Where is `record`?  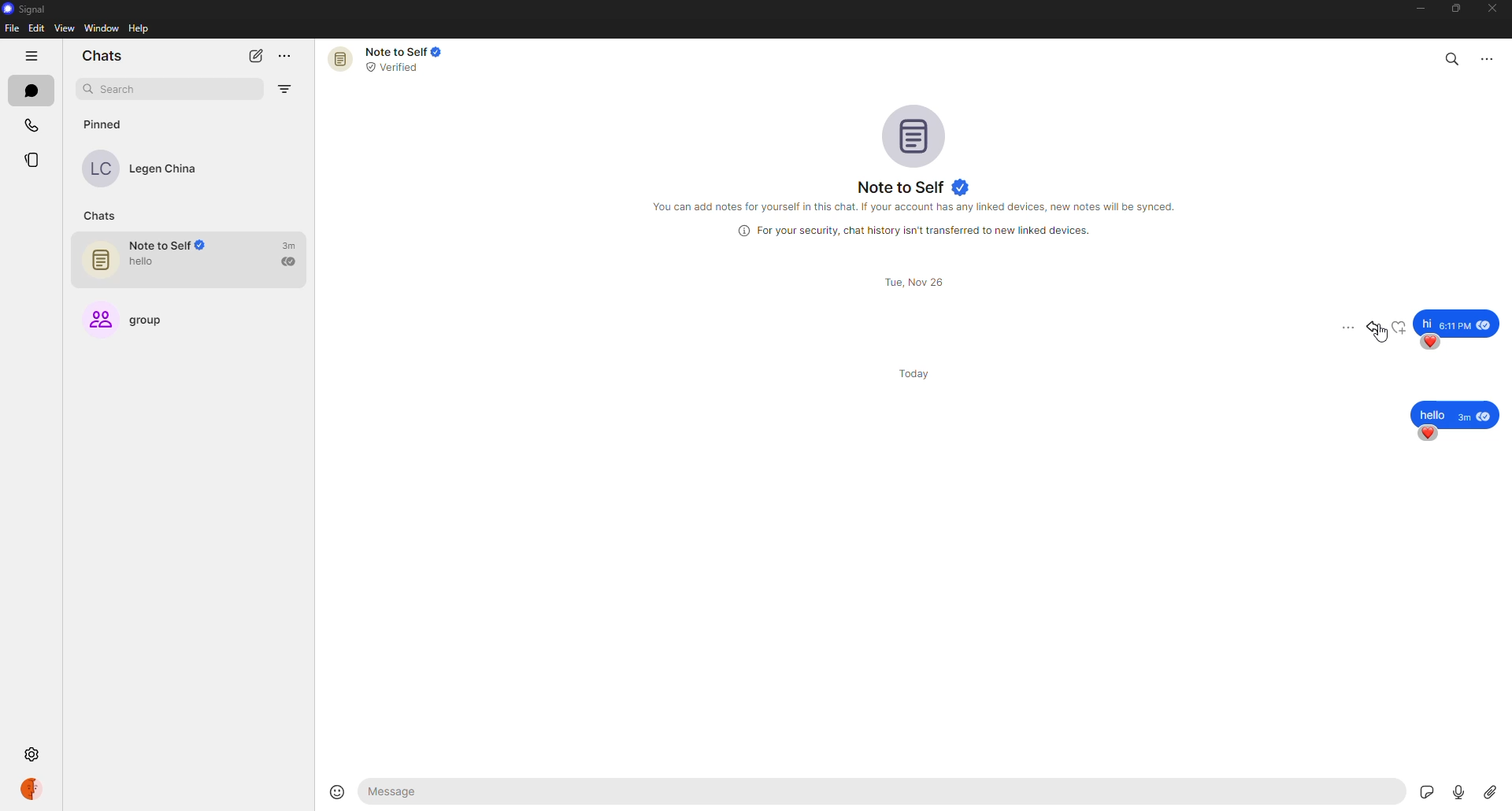
record is located at coordinates (1454, 791).